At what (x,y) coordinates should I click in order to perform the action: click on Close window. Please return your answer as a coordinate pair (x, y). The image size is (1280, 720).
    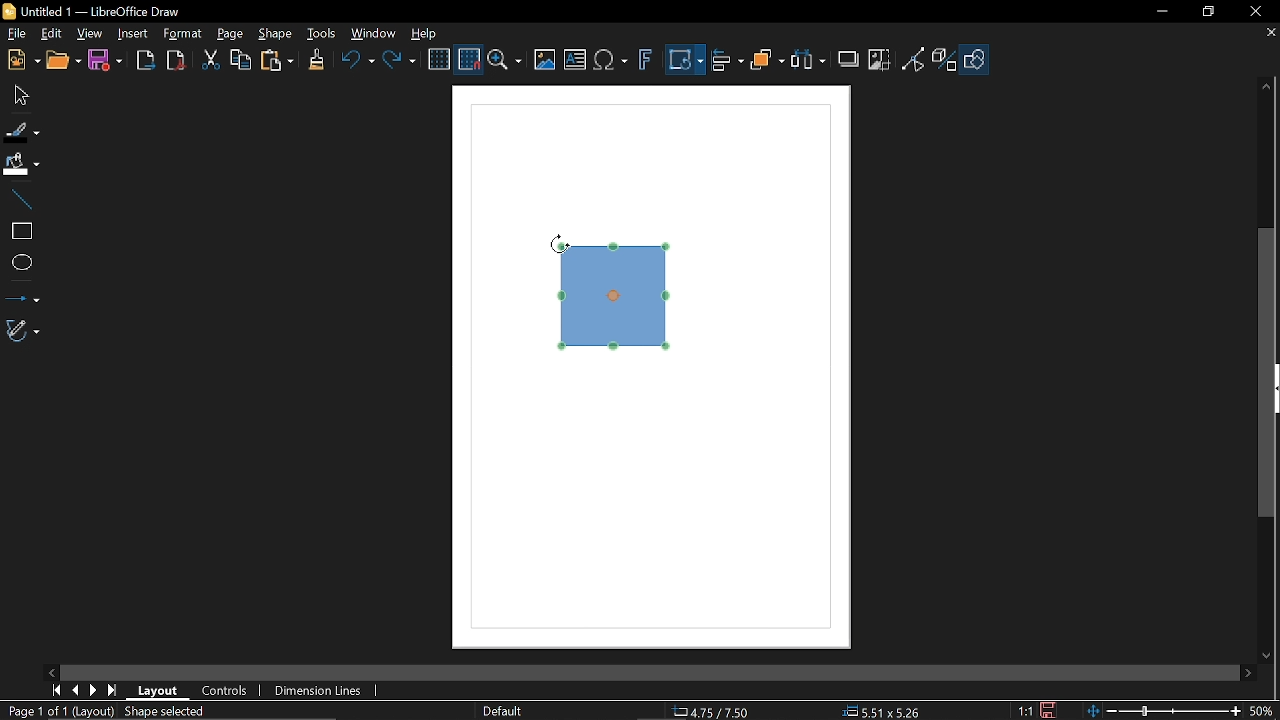
    Looking at the image, I should click on (1255, 12).